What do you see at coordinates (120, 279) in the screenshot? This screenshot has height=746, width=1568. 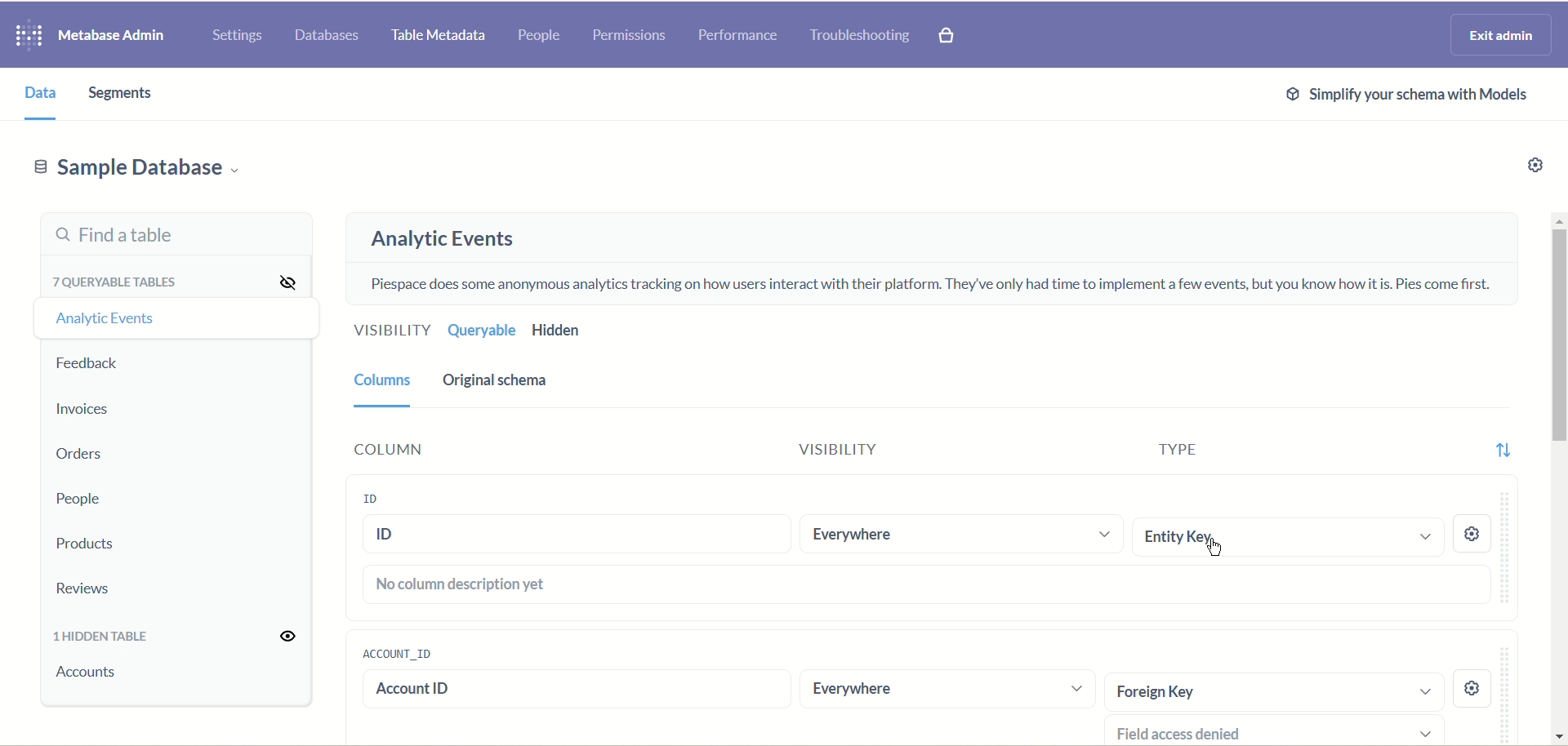 I see `queryable tables` at bounding box center [120, 279].